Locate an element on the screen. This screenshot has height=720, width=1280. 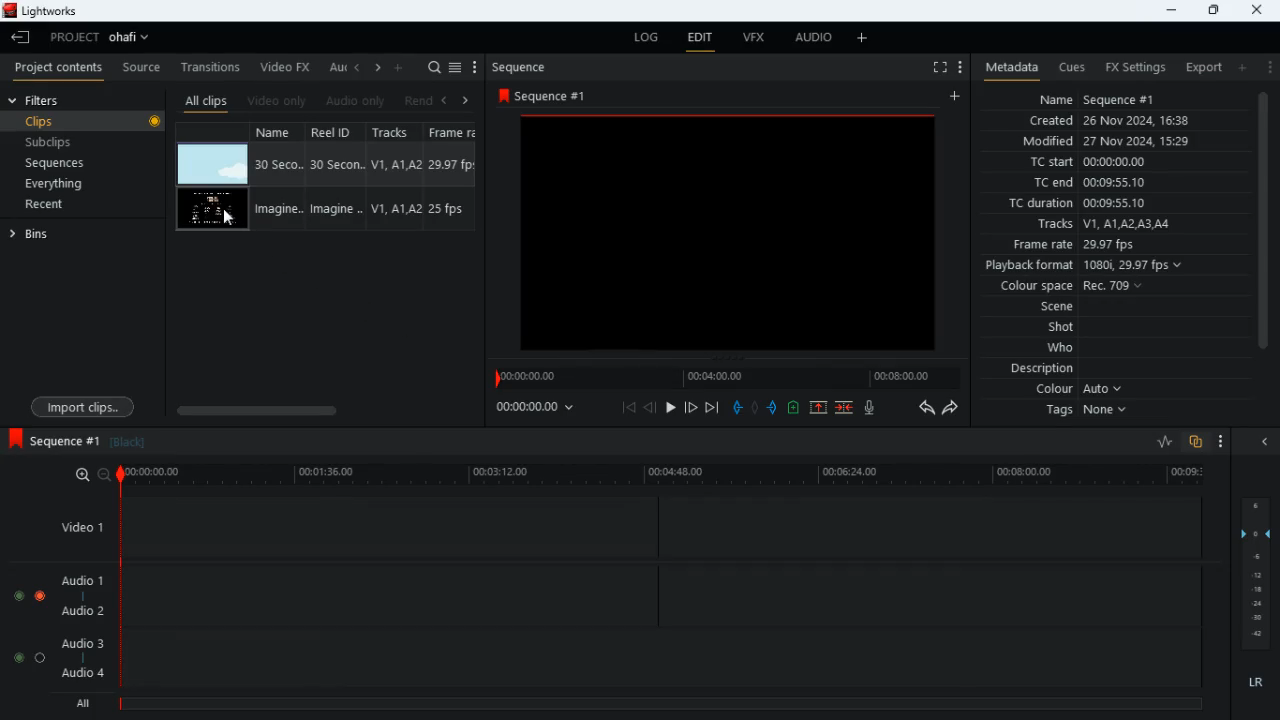
rate is located at coordinates (1158, 442).